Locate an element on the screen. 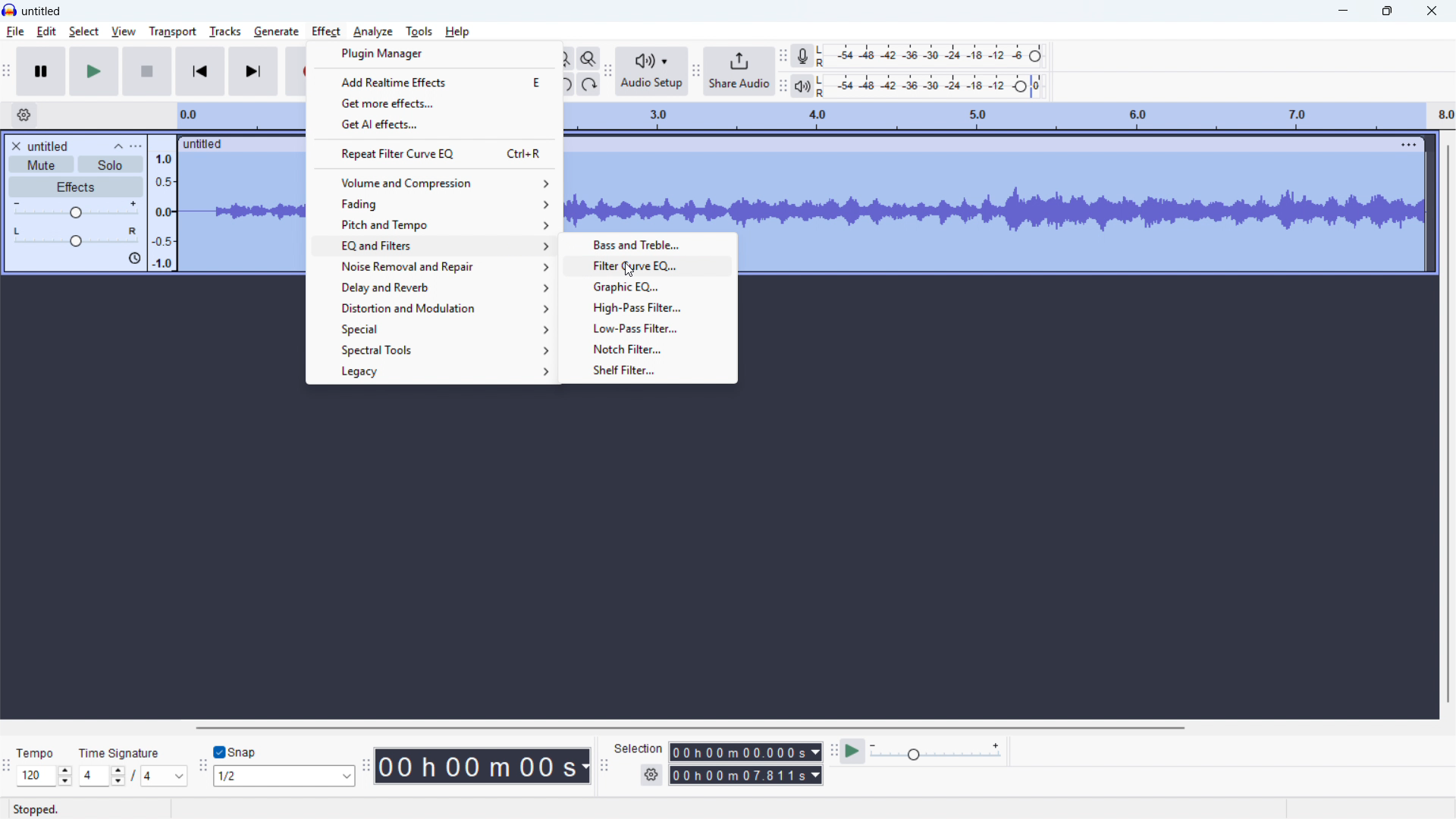 The width and height of the screenshot is (1456, 819). transport is located at coordinates (171, 32).